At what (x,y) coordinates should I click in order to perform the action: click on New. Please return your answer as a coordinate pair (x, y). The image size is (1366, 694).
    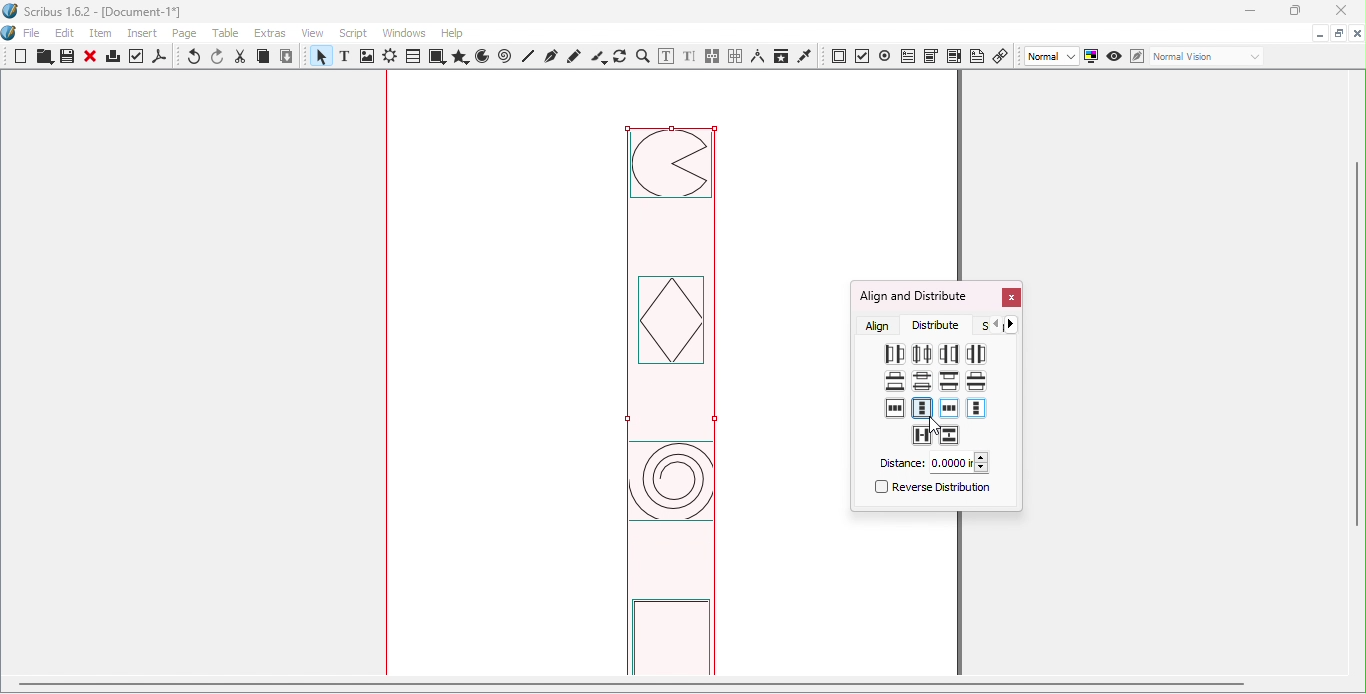
    Looking at the image, I should click on (21, 56).